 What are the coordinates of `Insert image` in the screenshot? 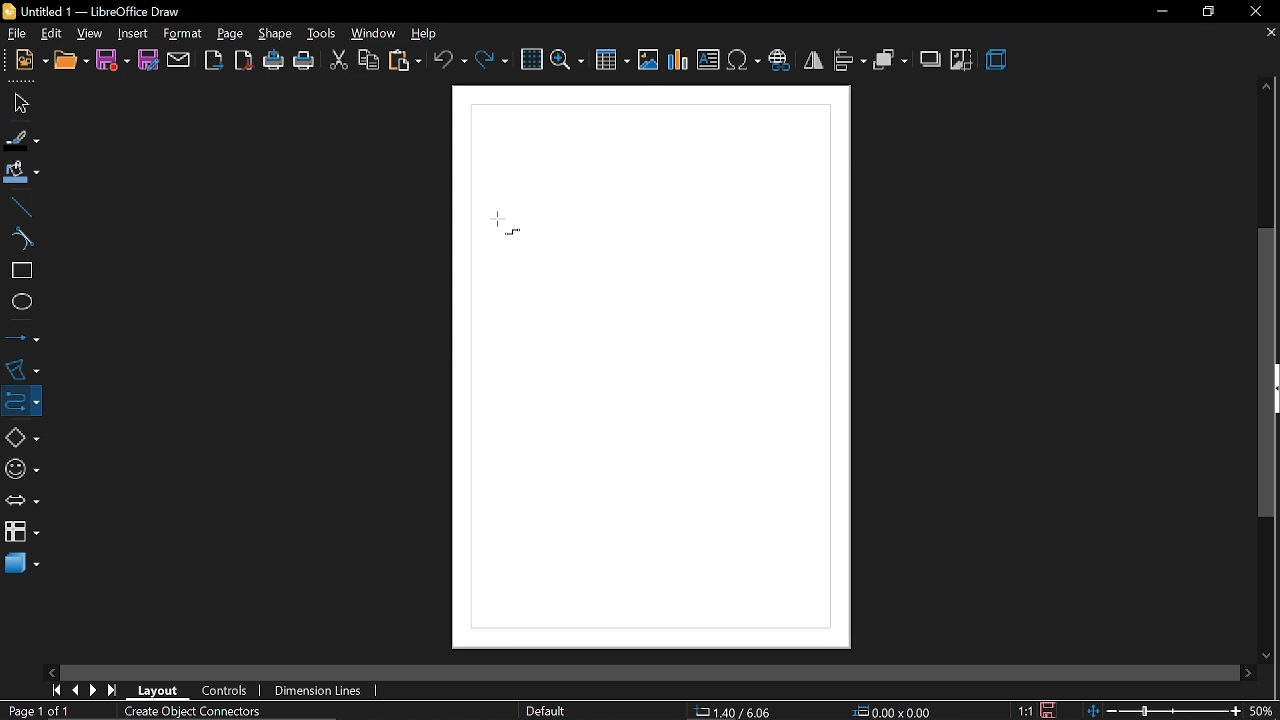 It's located at (649, 61).